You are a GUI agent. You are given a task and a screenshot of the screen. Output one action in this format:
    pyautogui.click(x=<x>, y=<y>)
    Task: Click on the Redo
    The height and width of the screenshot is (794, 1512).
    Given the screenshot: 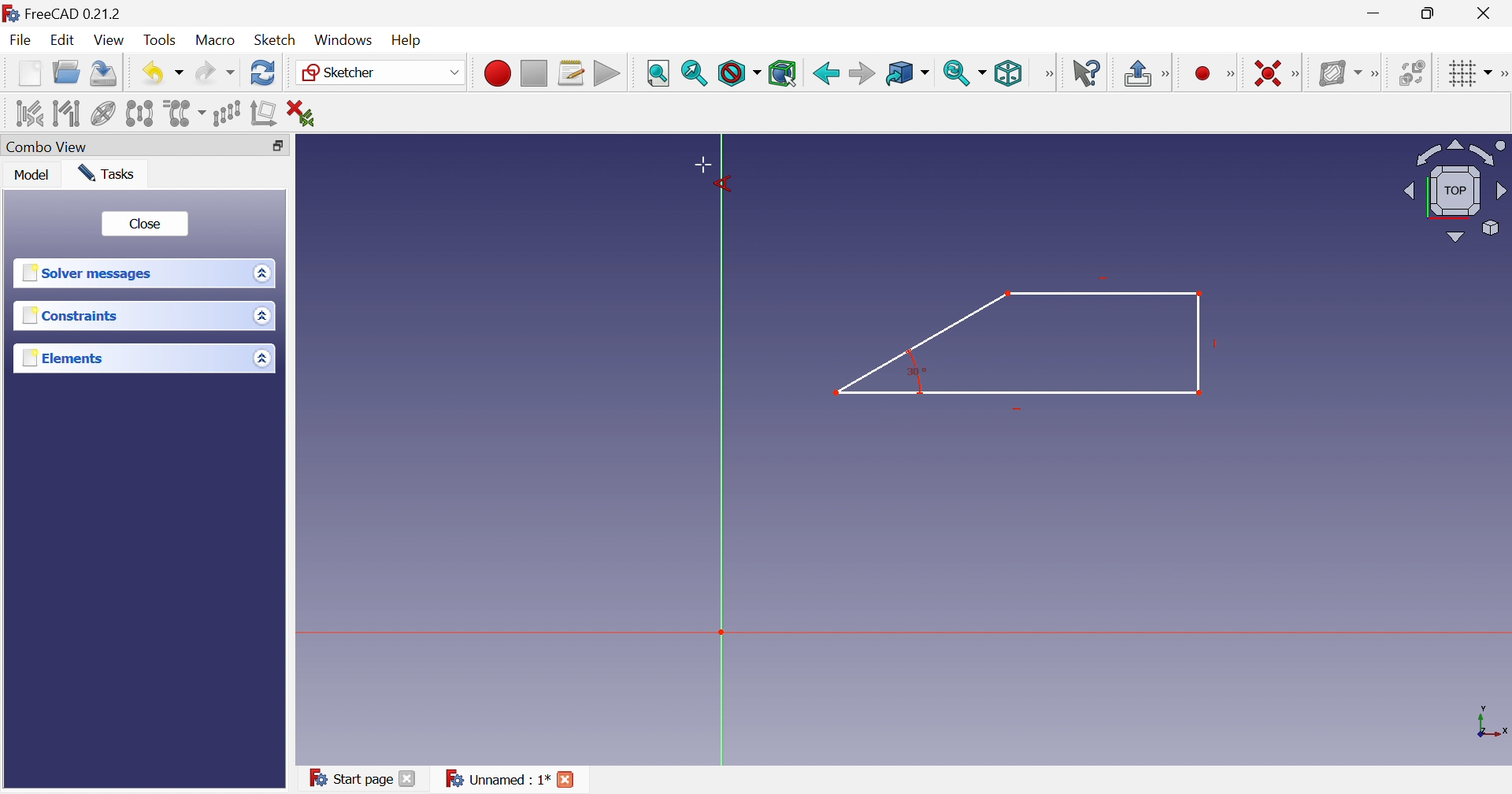 What is the action you would take?
    pyautogui.click(x=213, y=76)
    